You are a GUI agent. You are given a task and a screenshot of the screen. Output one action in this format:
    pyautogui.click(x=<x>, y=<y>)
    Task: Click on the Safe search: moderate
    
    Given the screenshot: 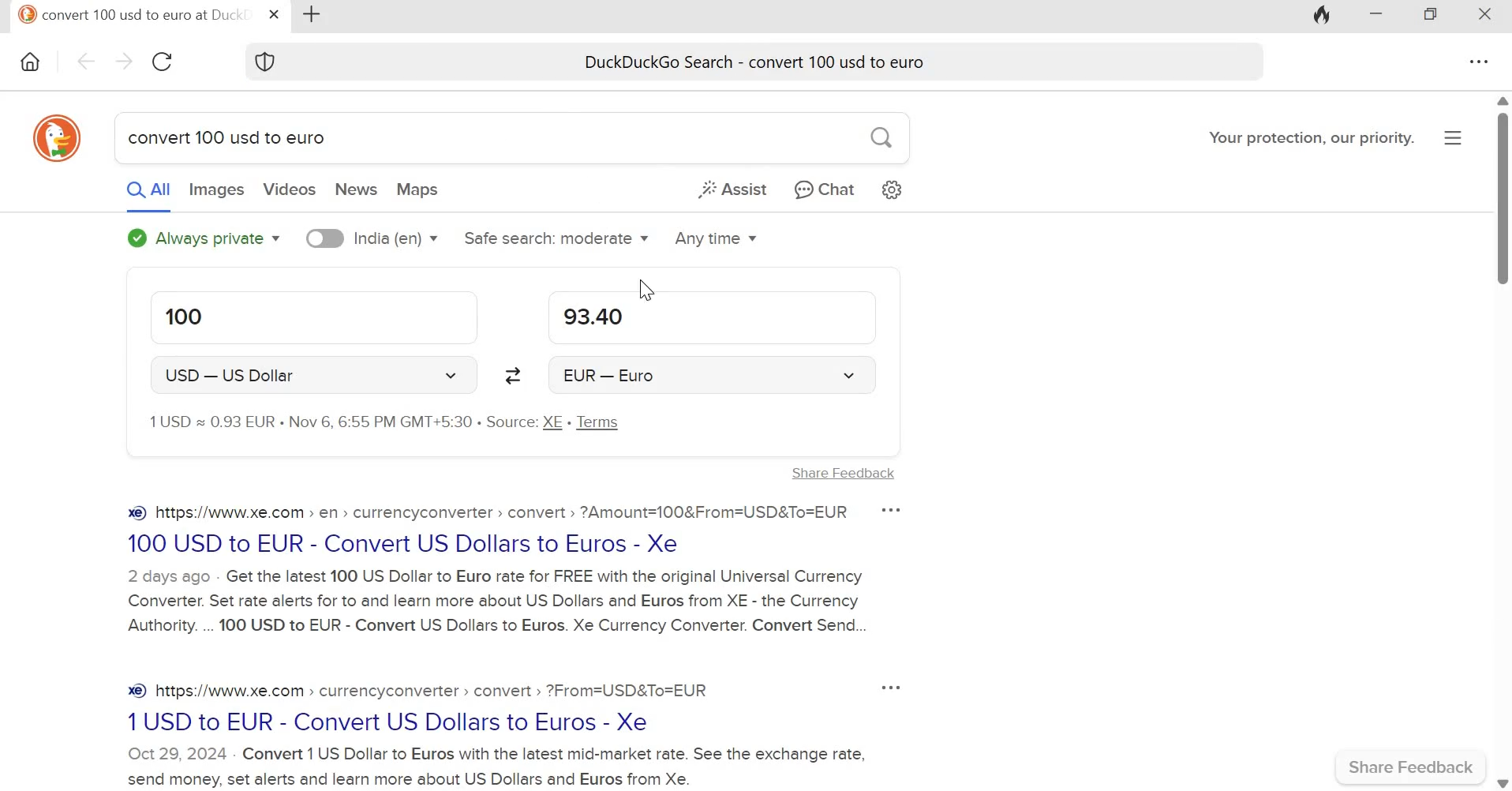 What is the action you would take?
    pyautogui.click(x=556, y=237)
    